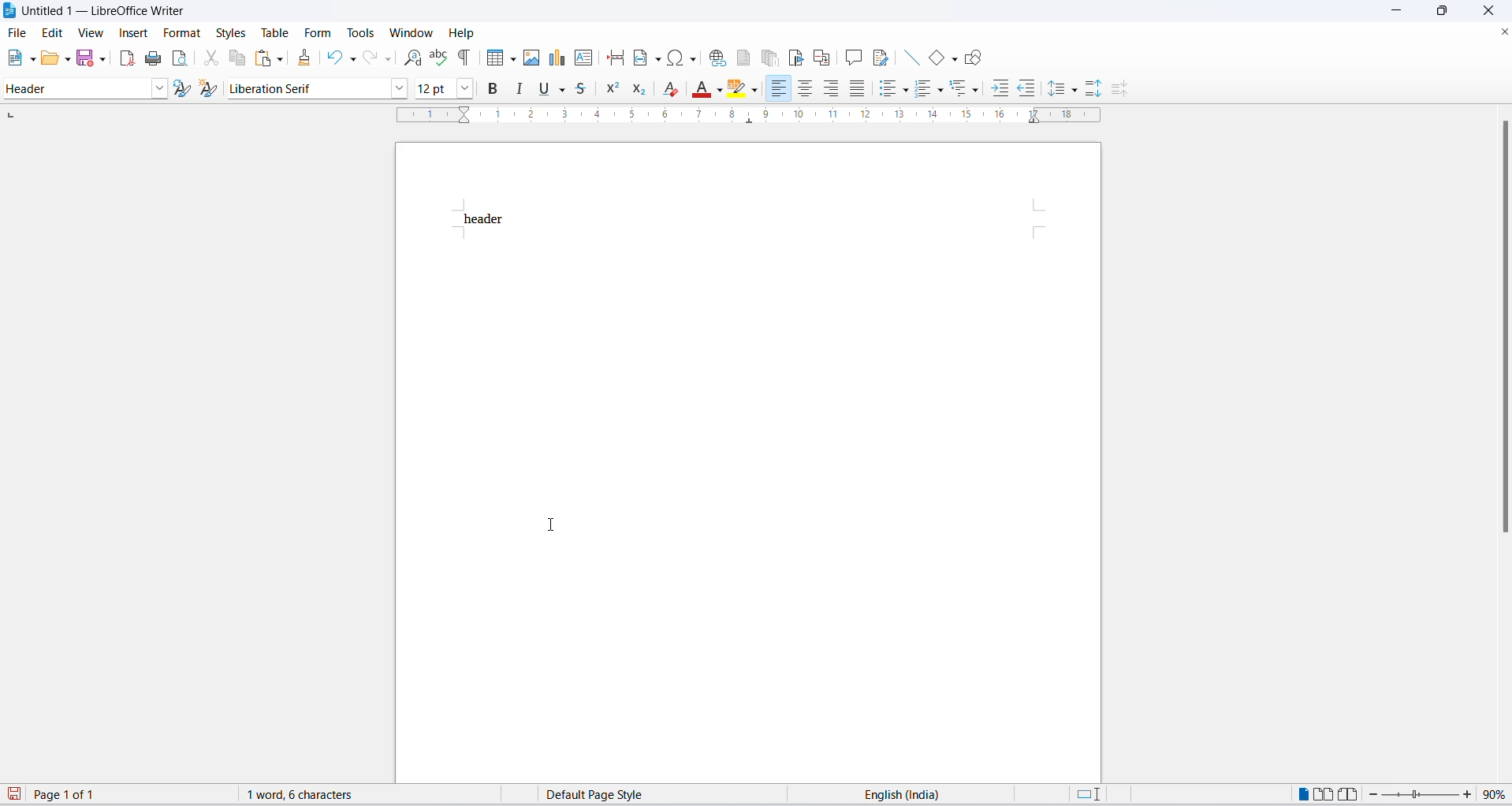 This screenshot has width=1512, height=806. I want to click on open, so click(50, 59).